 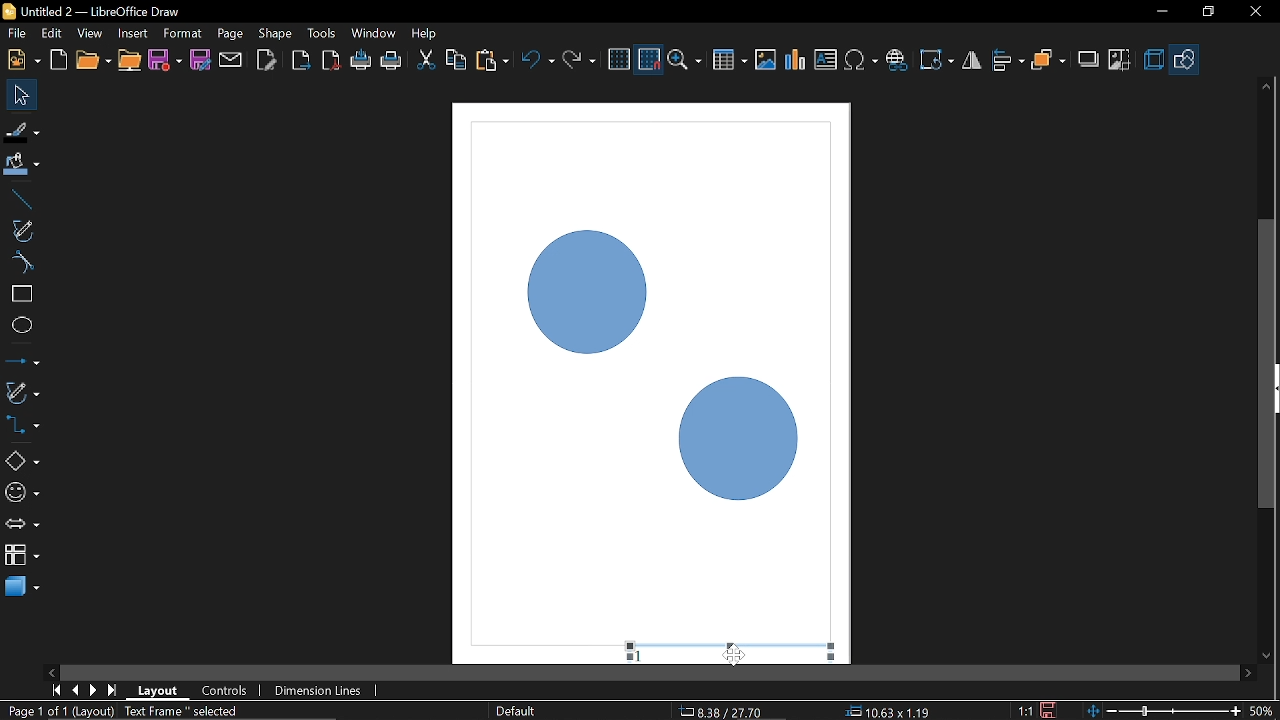 What do you see at coordinates (228, 32) in the screenshot?
I see `Page` at bounding box center [228, 32].